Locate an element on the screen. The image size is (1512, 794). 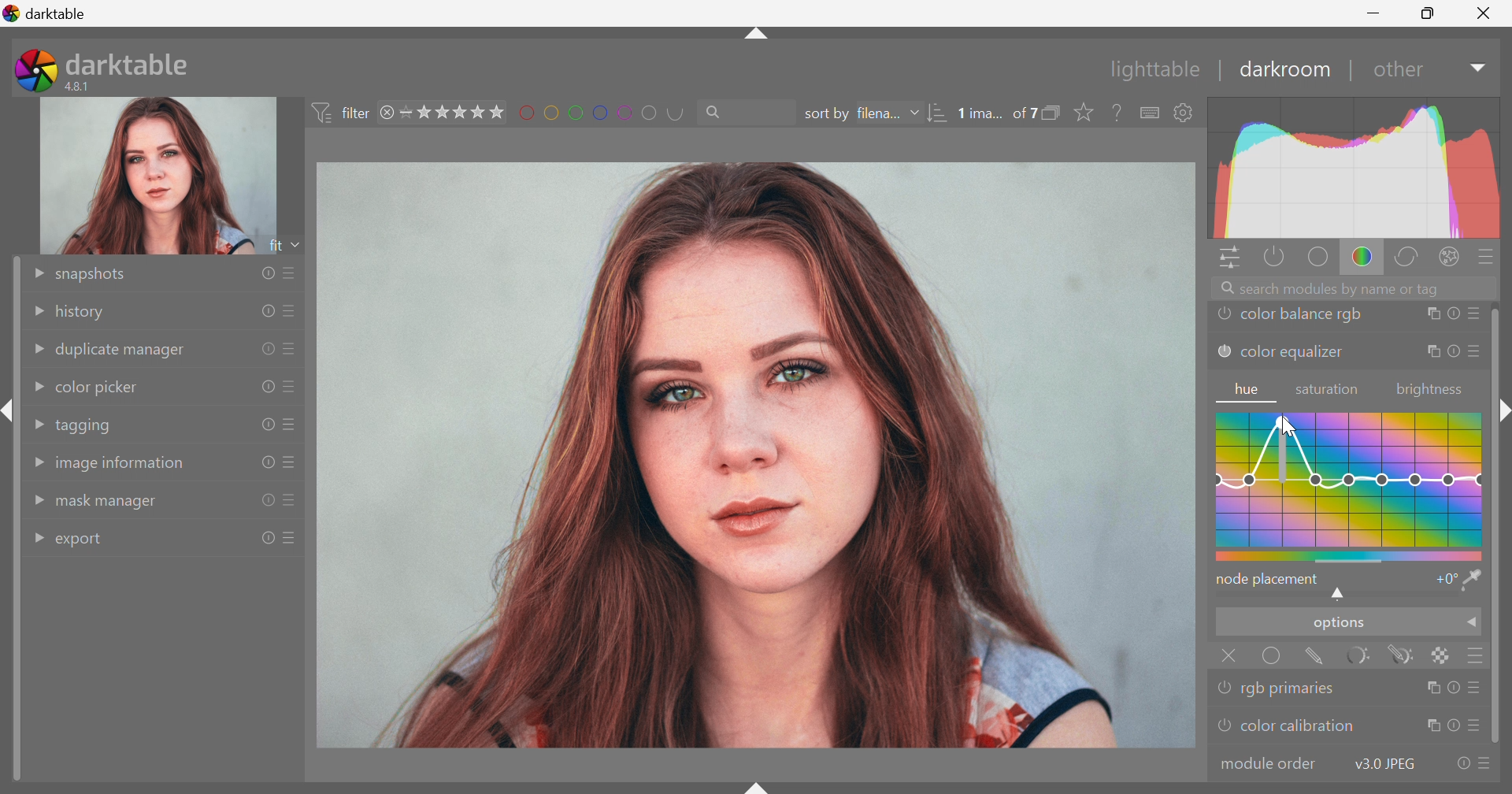
darktable is located at coordinates (59, 13).